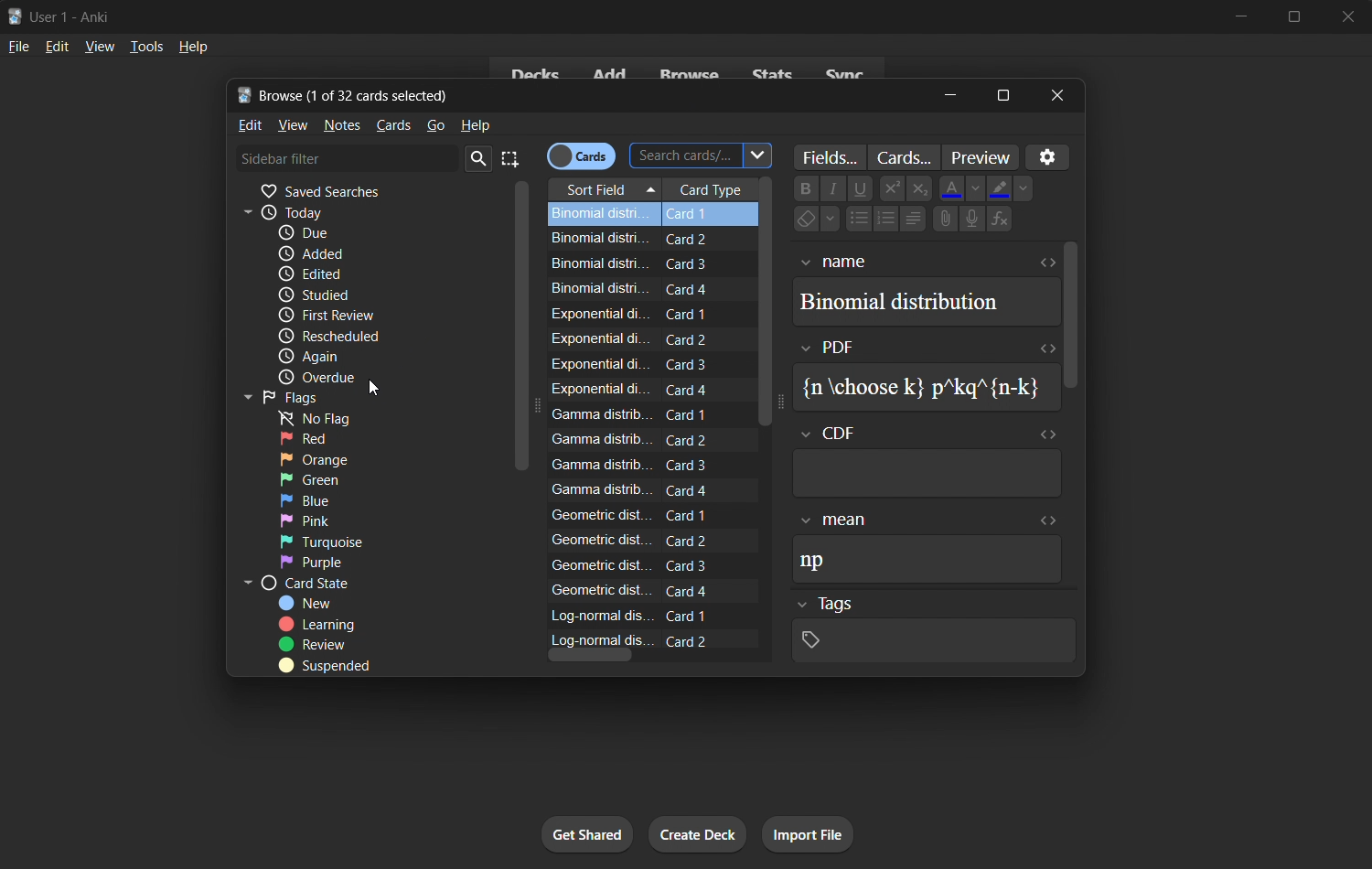 The height and width of the screenshot is (869, 1372). Describe the element at coordinates (701, 591) in the screenshot. I see `Card 4` at that location.